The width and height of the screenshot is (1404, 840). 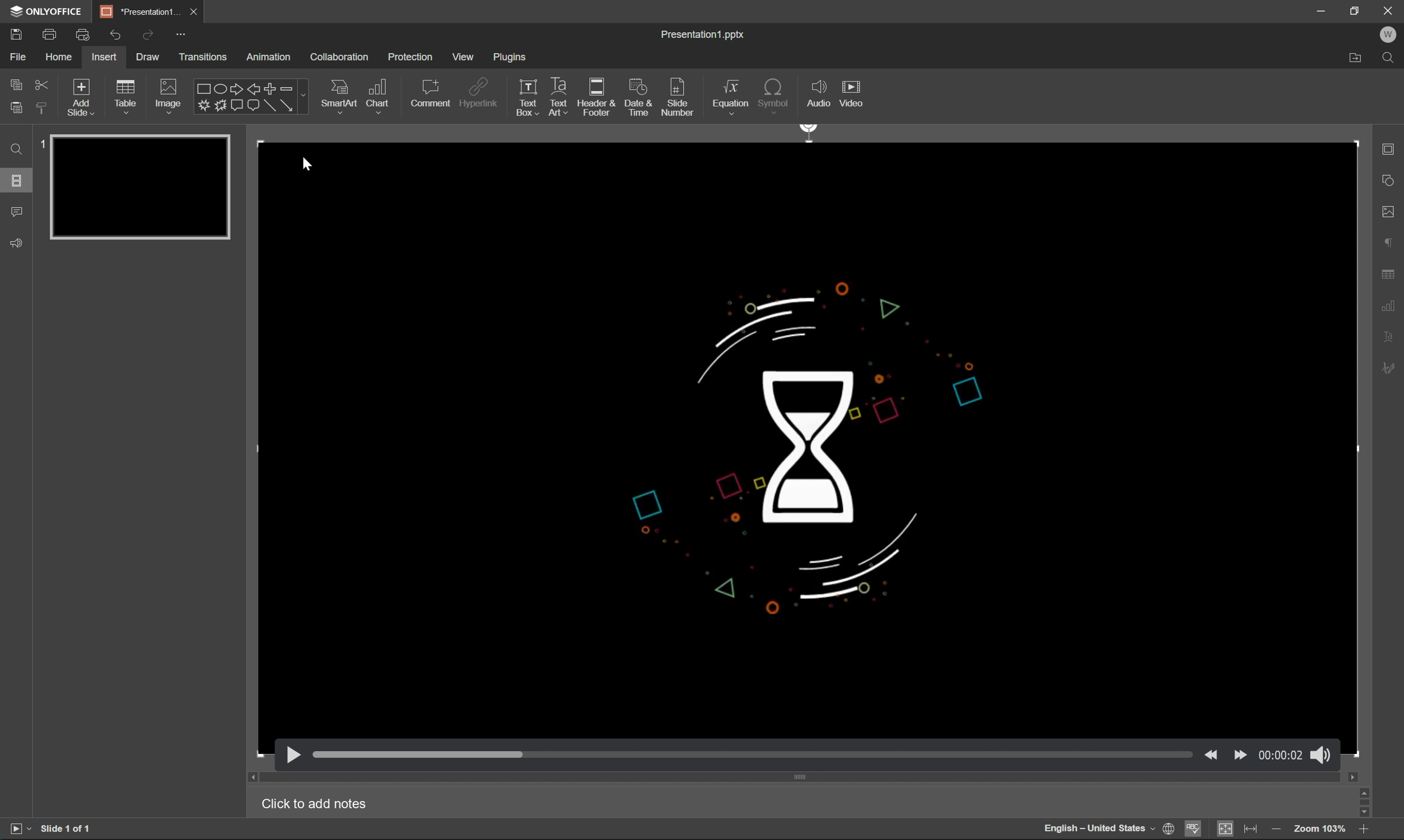 I want to click on plugins, so click(x=514, y=59).